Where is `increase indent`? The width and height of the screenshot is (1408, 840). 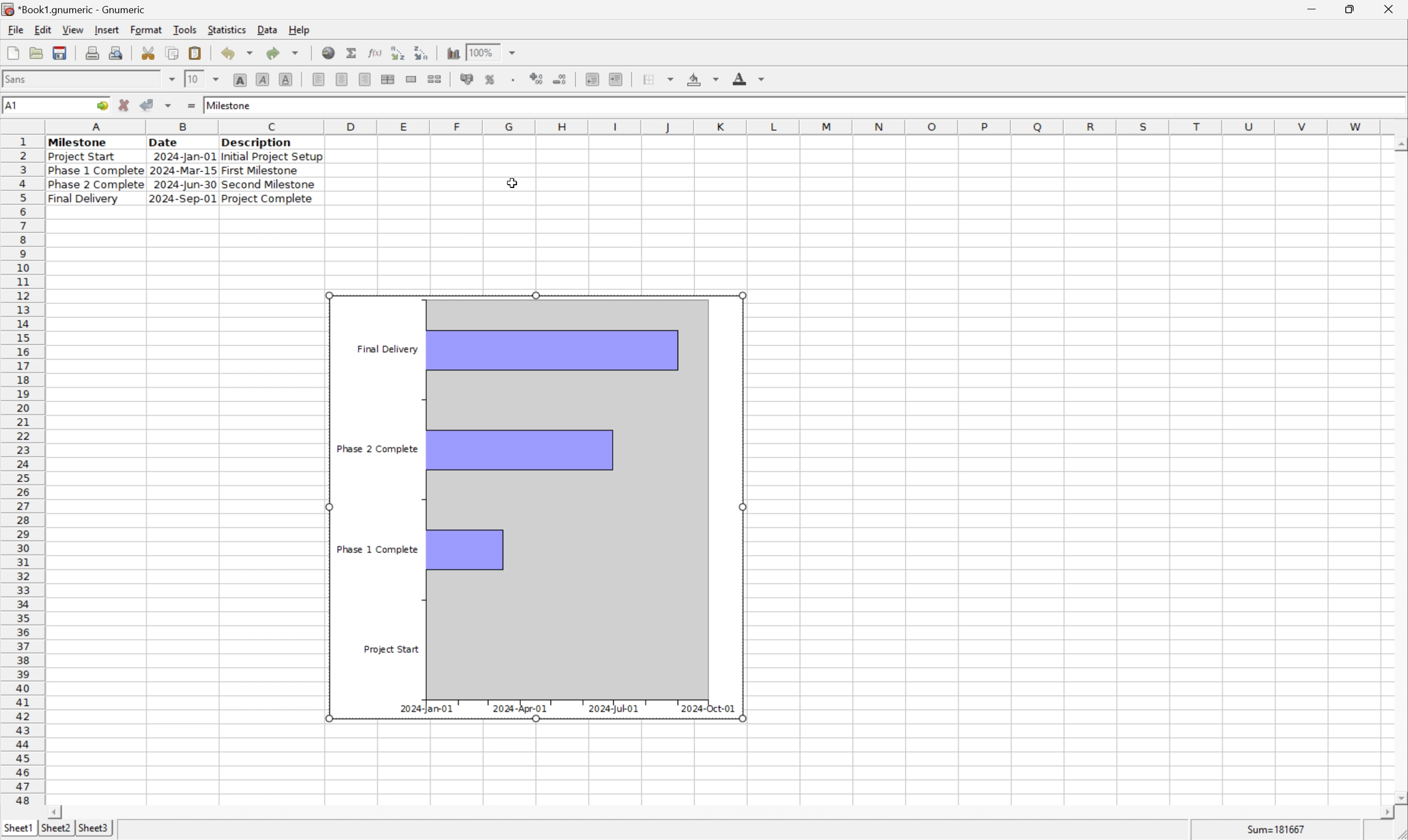
increase indent is located at coordinates (619, 79).